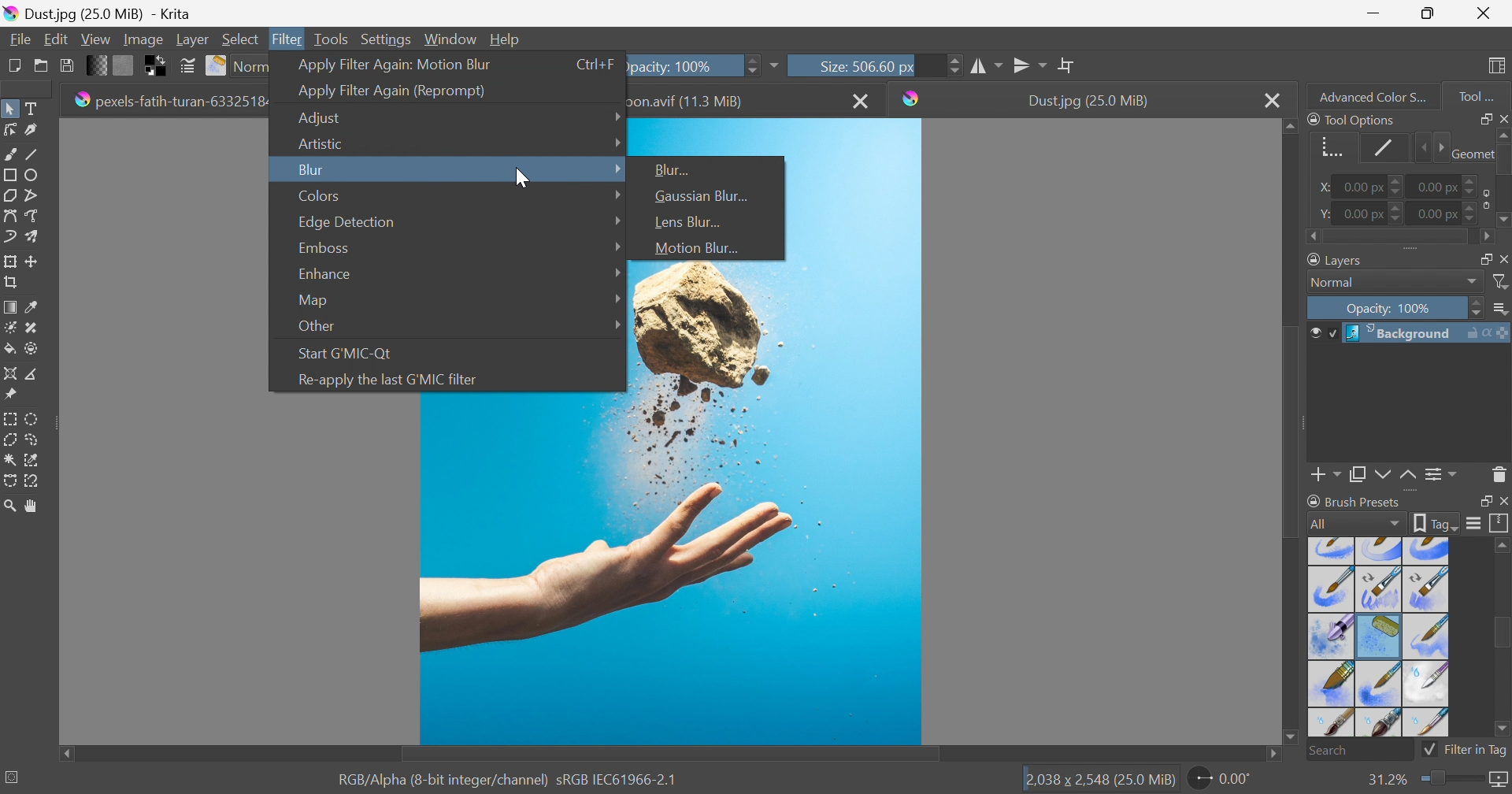 The width and height of the screenshot is (1512, 794). Describe the element at coordinates (1354, 501) in the screenshot. I see `Brush Presets` at that location.